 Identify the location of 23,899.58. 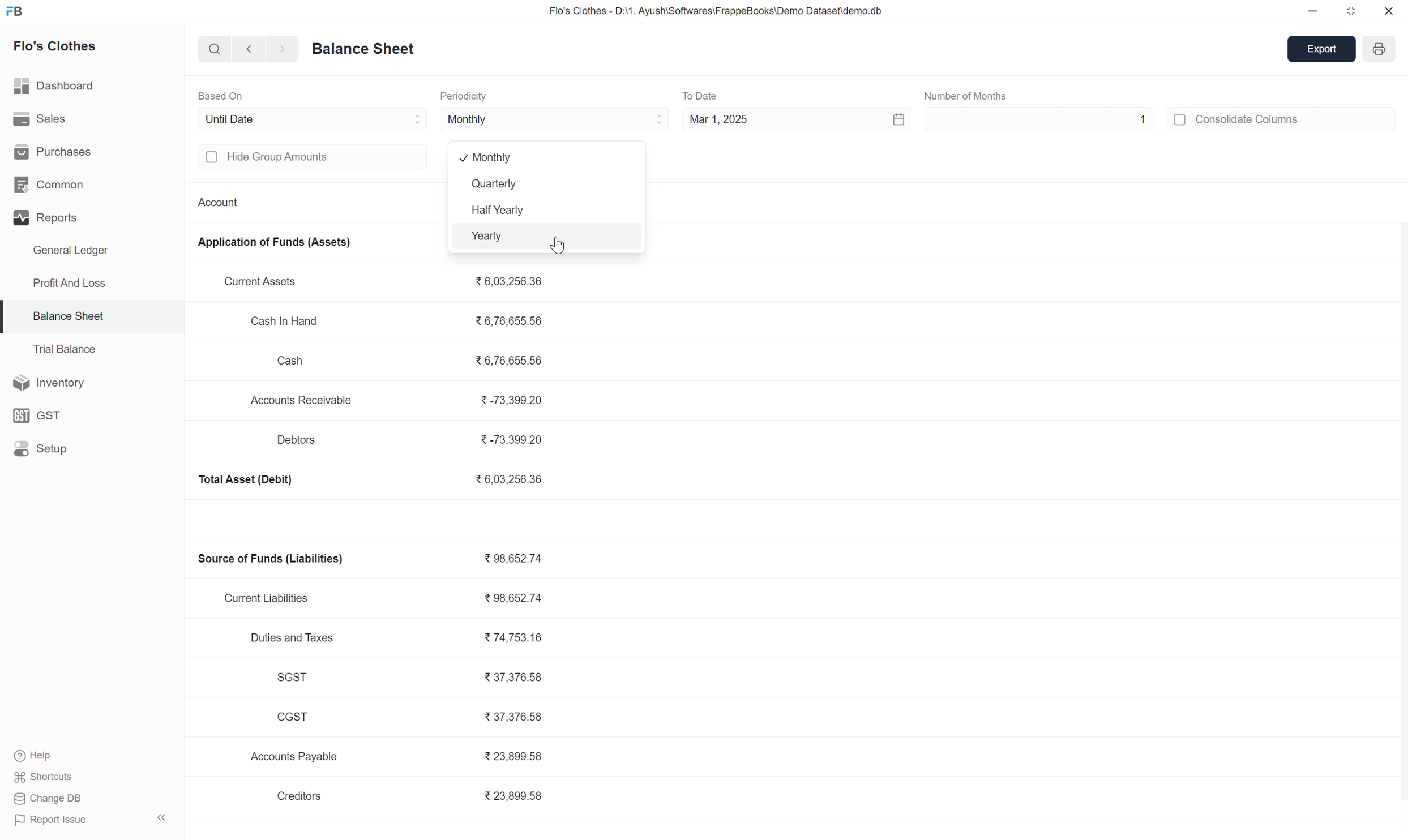
(515, 757).